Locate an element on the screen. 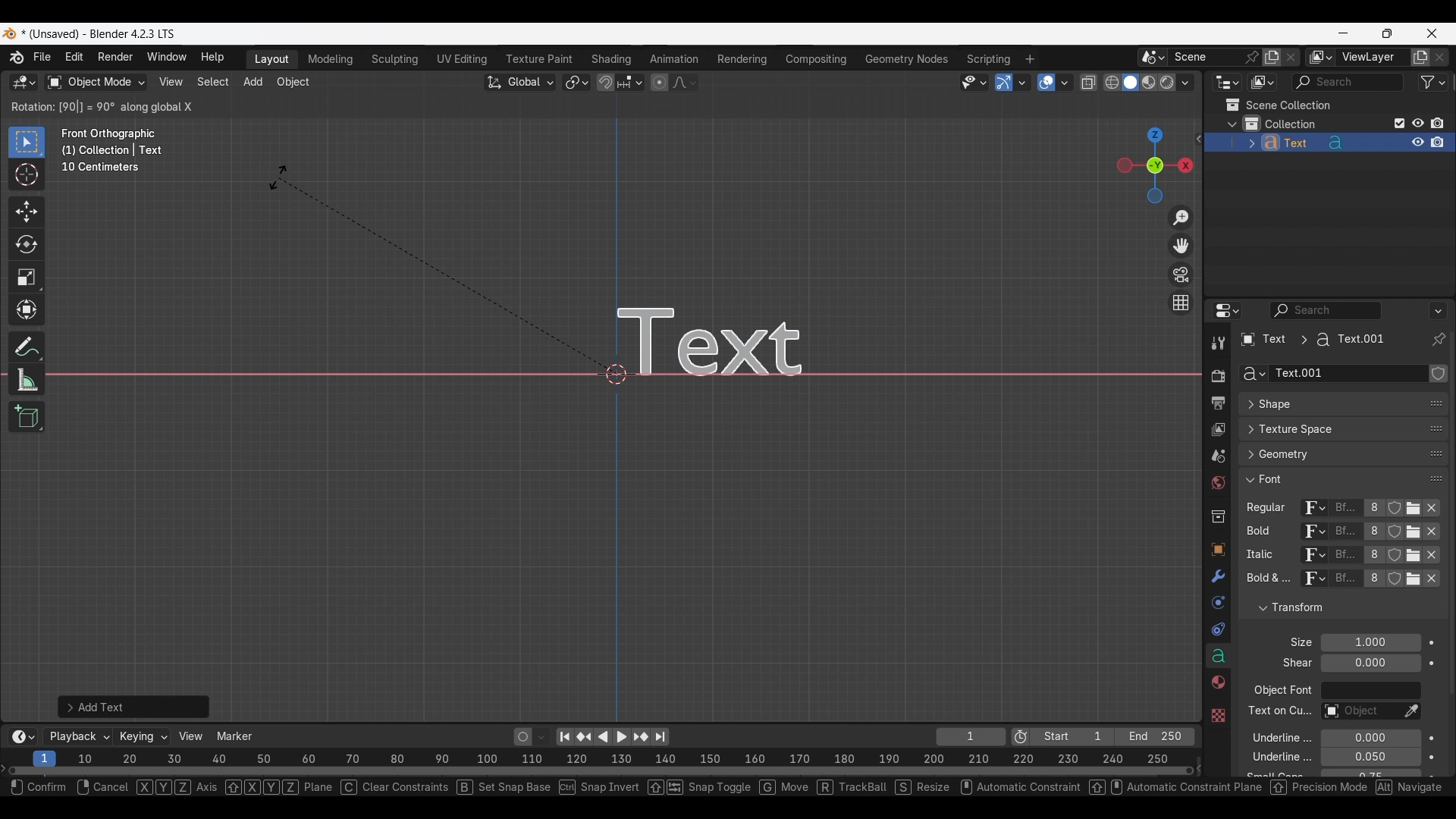 The width and height of the screenshot is (1456, 819). Display mode is located at coordinates (1262, 83).